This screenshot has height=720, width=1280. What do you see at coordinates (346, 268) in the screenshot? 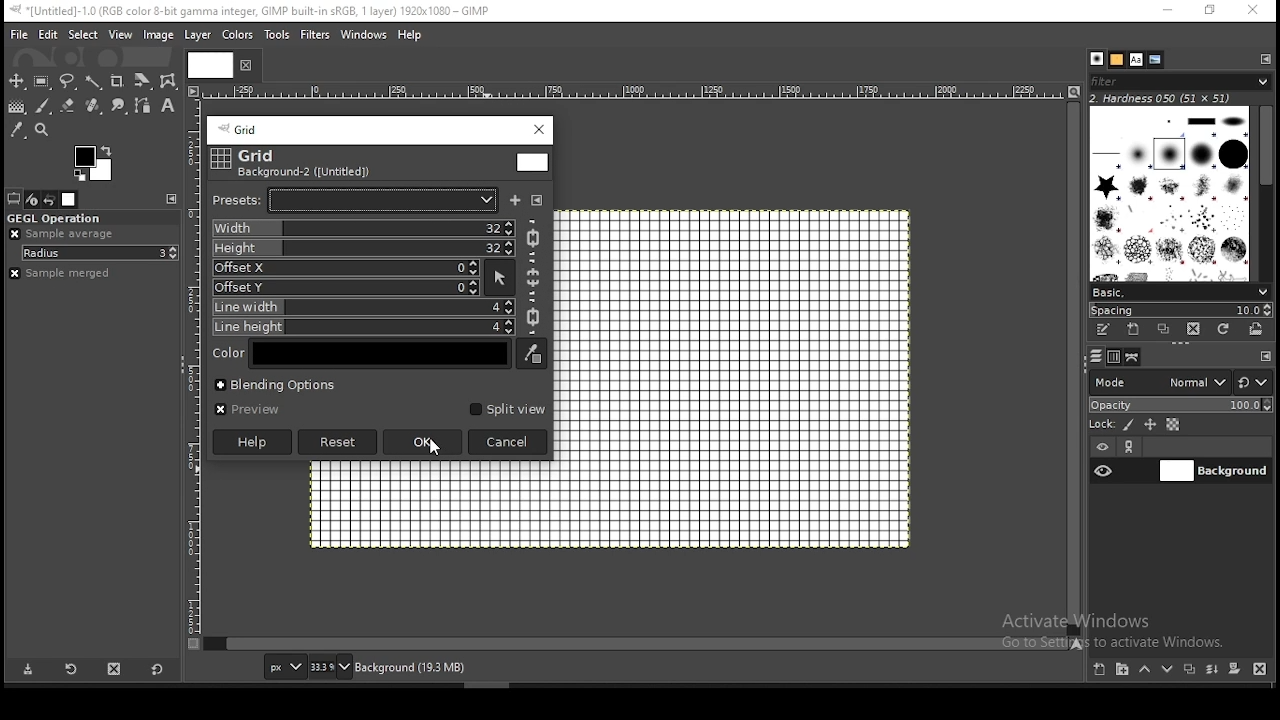
I see `offset x:0` at bounding box center [346, 268].